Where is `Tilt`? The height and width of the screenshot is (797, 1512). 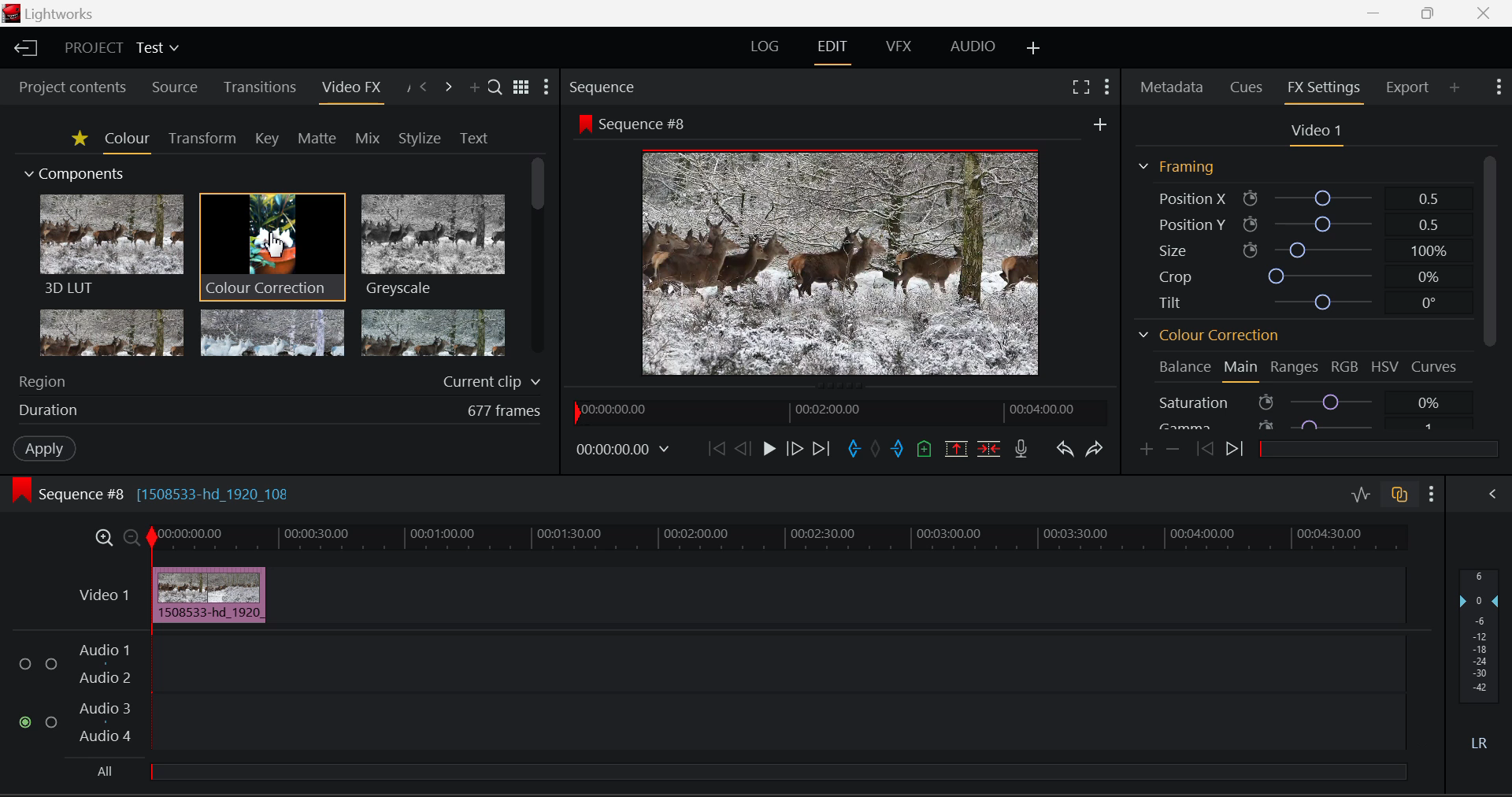
Tilt is located at coordinates (1299, 301).